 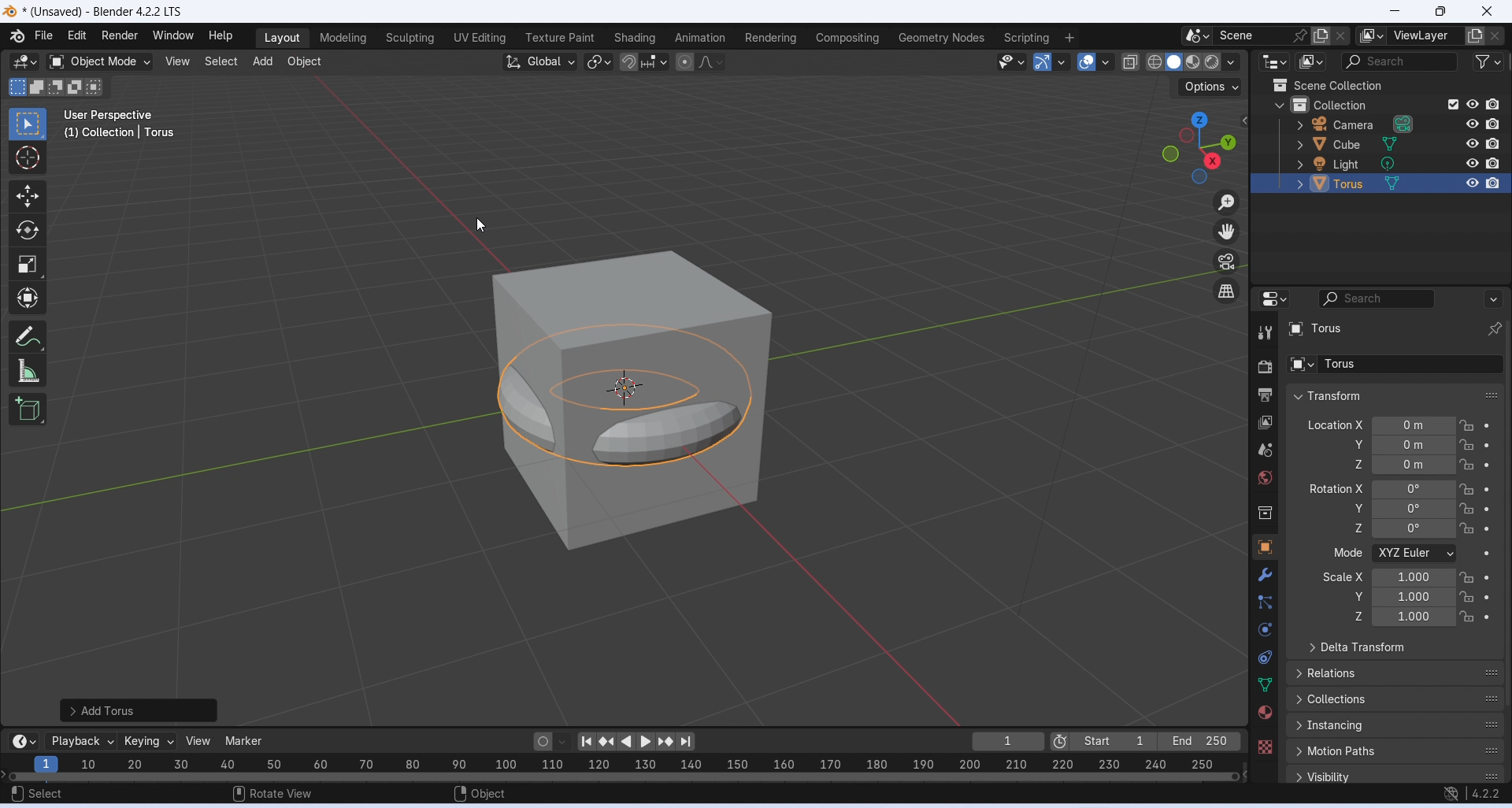 What do you see at coordinates (1396, 328) in the screenshot?
I see `torus layer` at bounding box center [1396, 328].